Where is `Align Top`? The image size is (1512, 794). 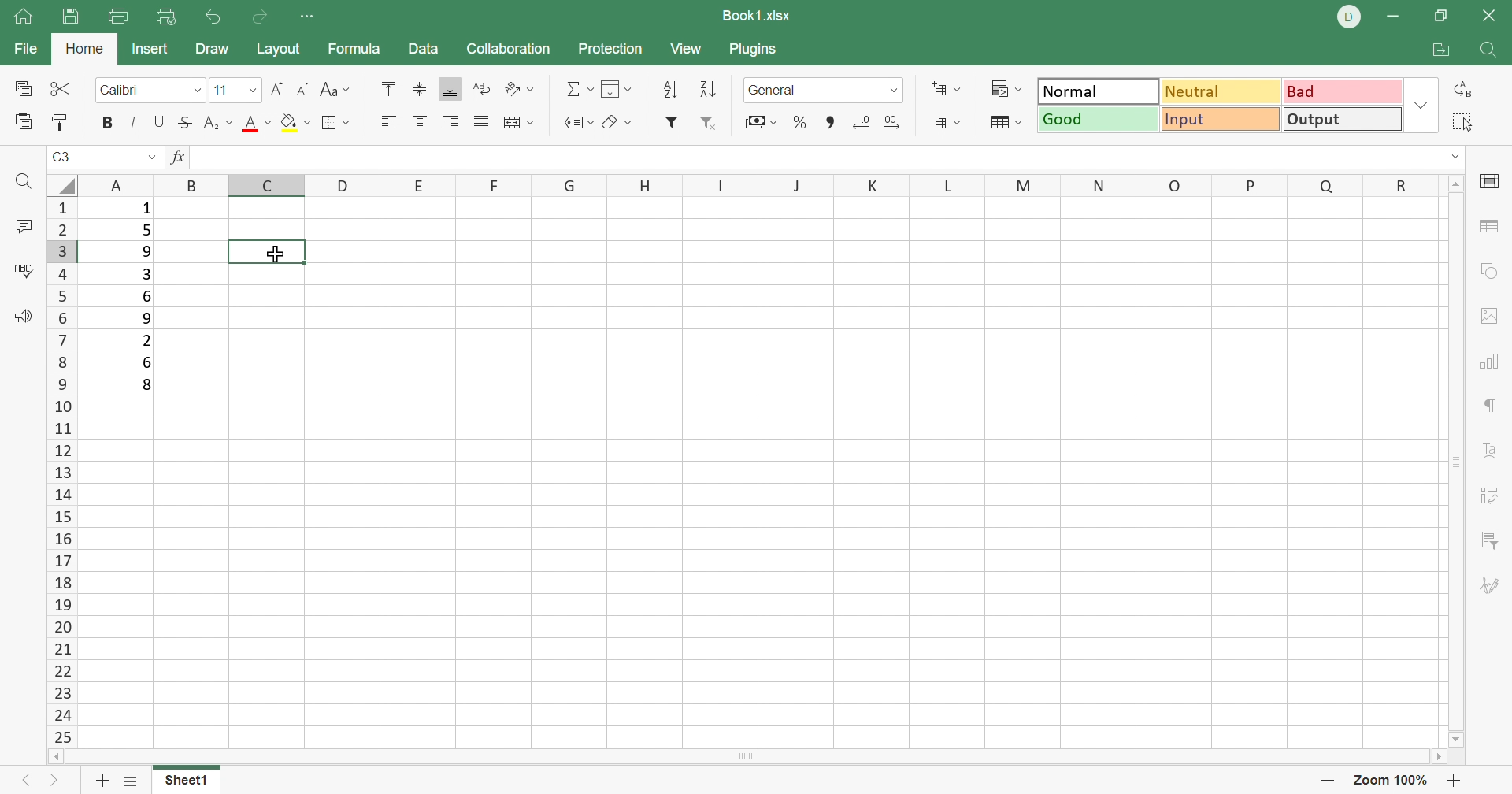 Align Top is located at coordinates (388, 91).